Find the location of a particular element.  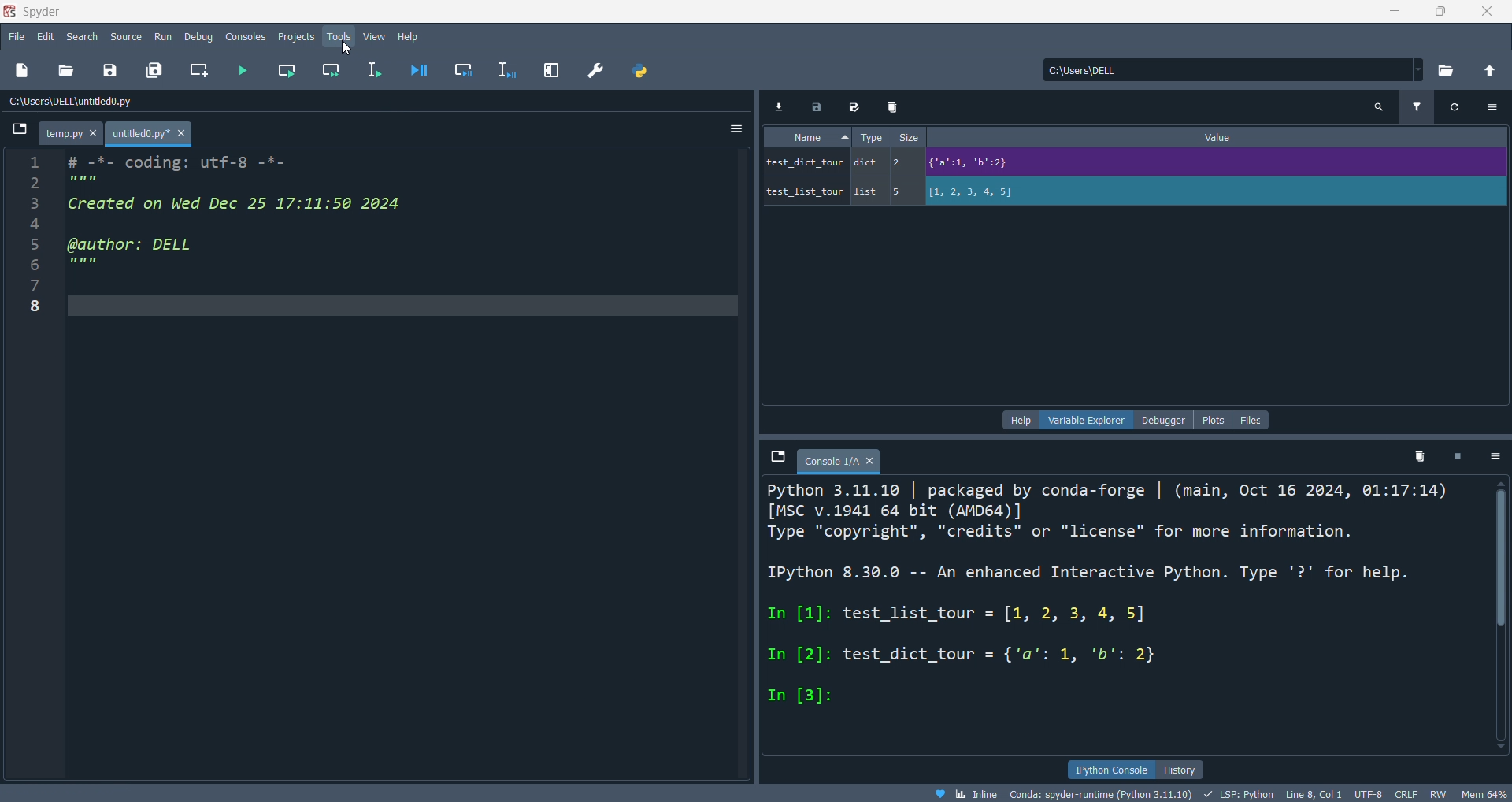

run cell and move is located at coordinates (330, 70).